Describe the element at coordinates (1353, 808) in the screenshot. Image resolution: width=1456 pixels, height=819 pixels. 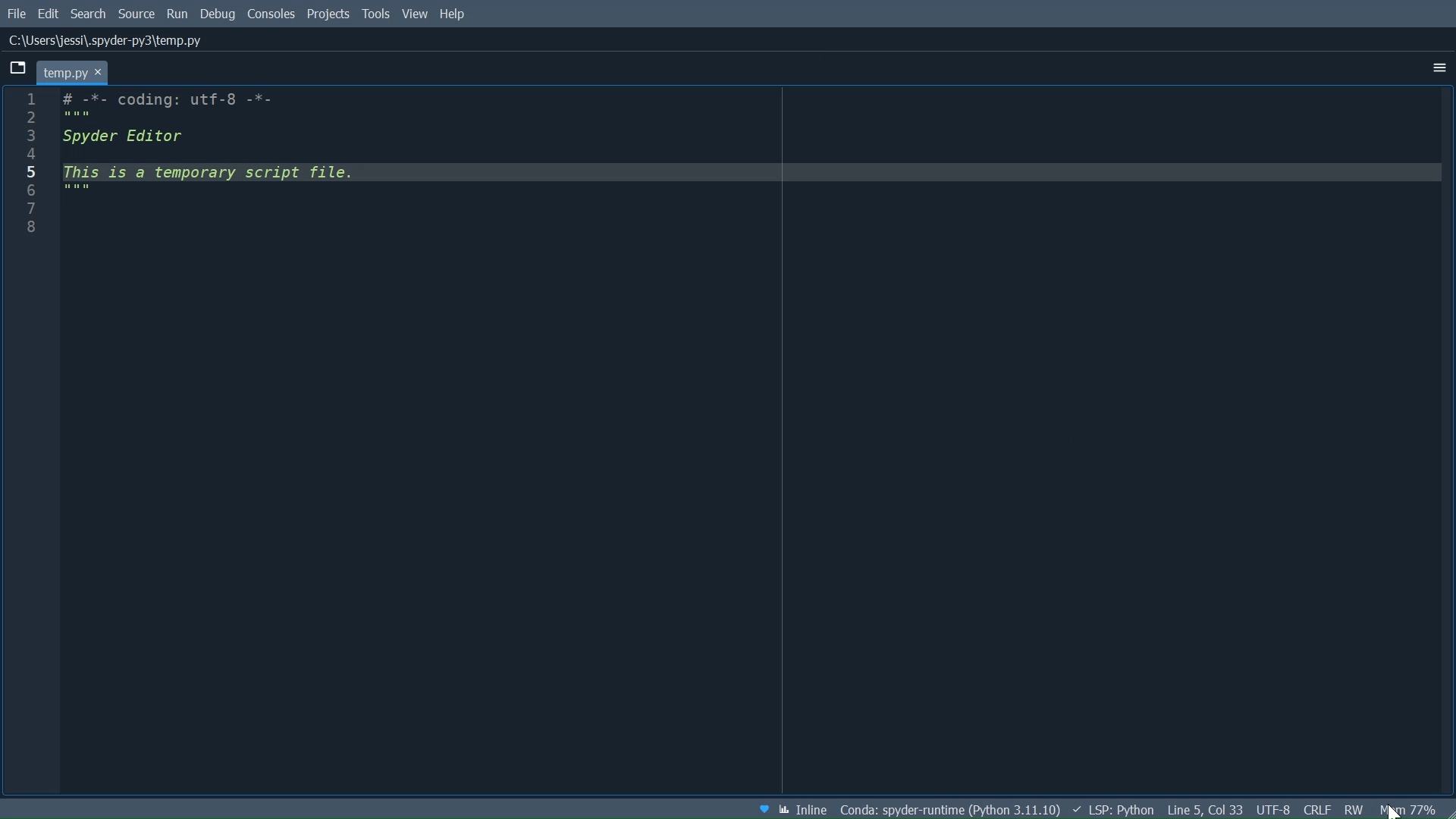
I see `File Permission` at that location.